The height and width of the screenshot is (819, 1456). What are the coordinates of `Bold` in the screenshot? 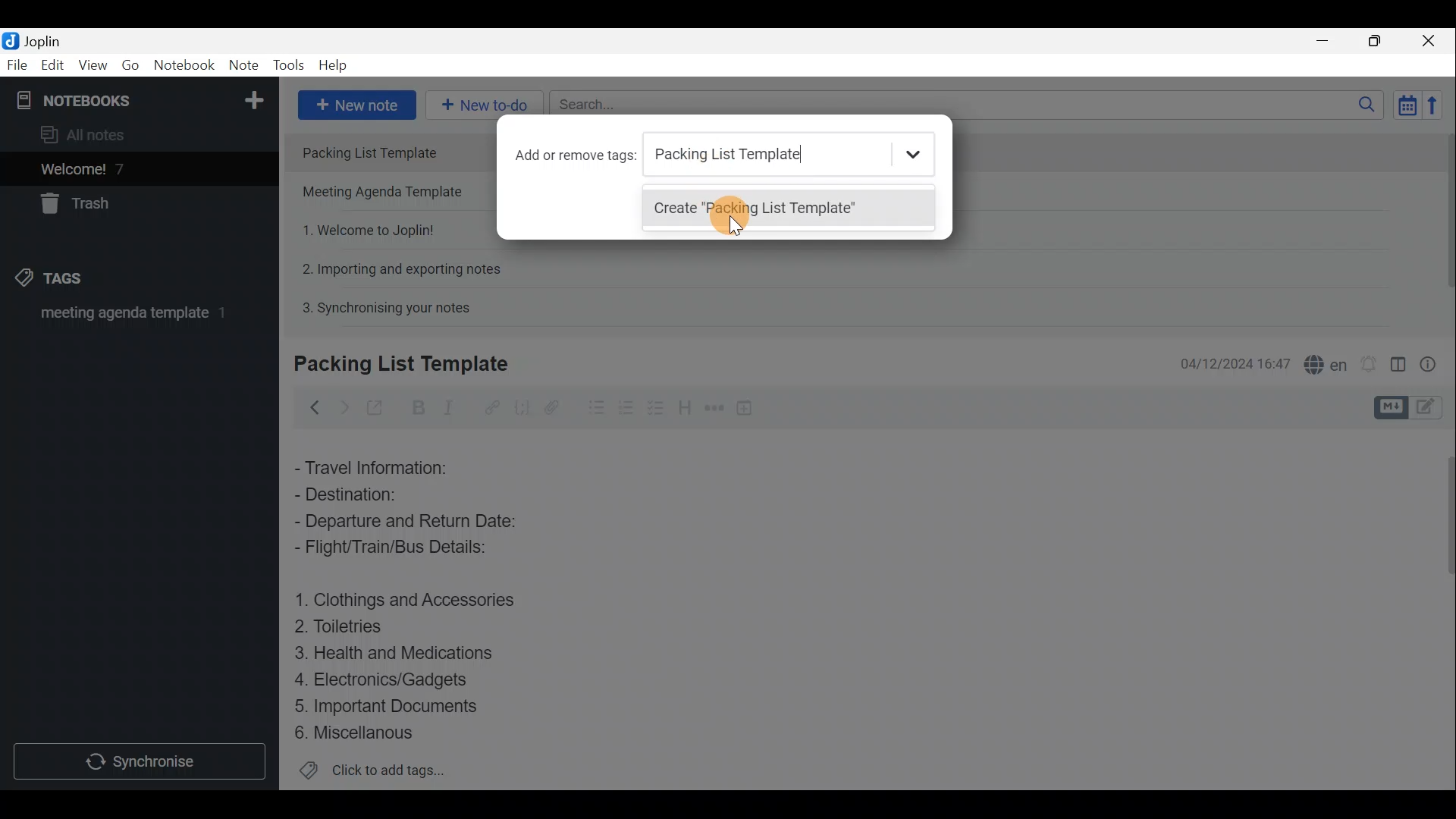 It's located at (416, 406).